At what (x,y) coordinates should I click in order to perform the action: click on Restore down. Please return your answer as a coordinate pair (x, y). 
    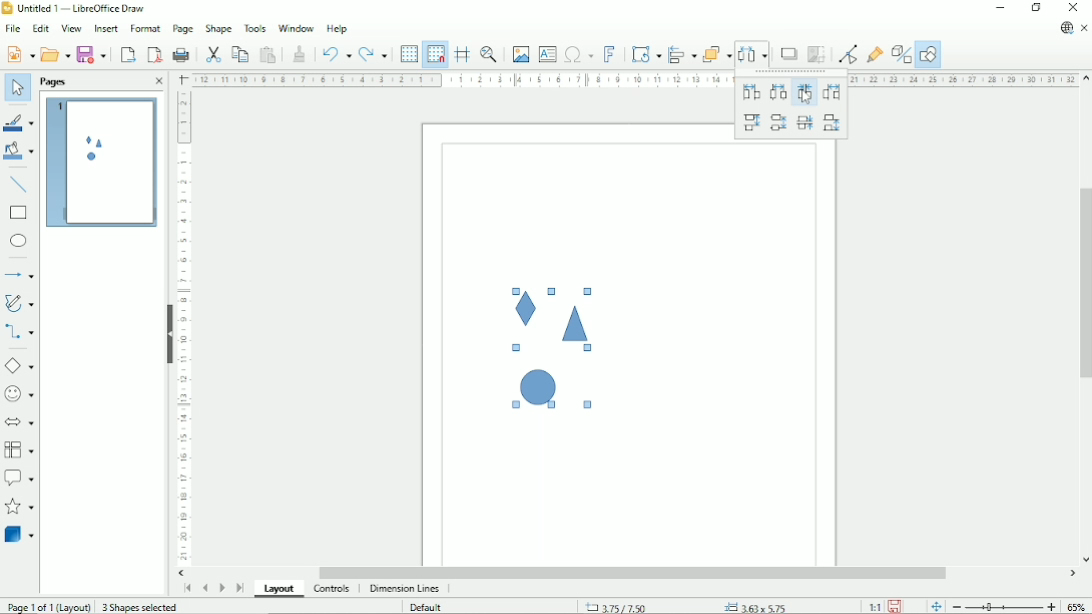
    Looking at the image, I should click on (1036, 8).